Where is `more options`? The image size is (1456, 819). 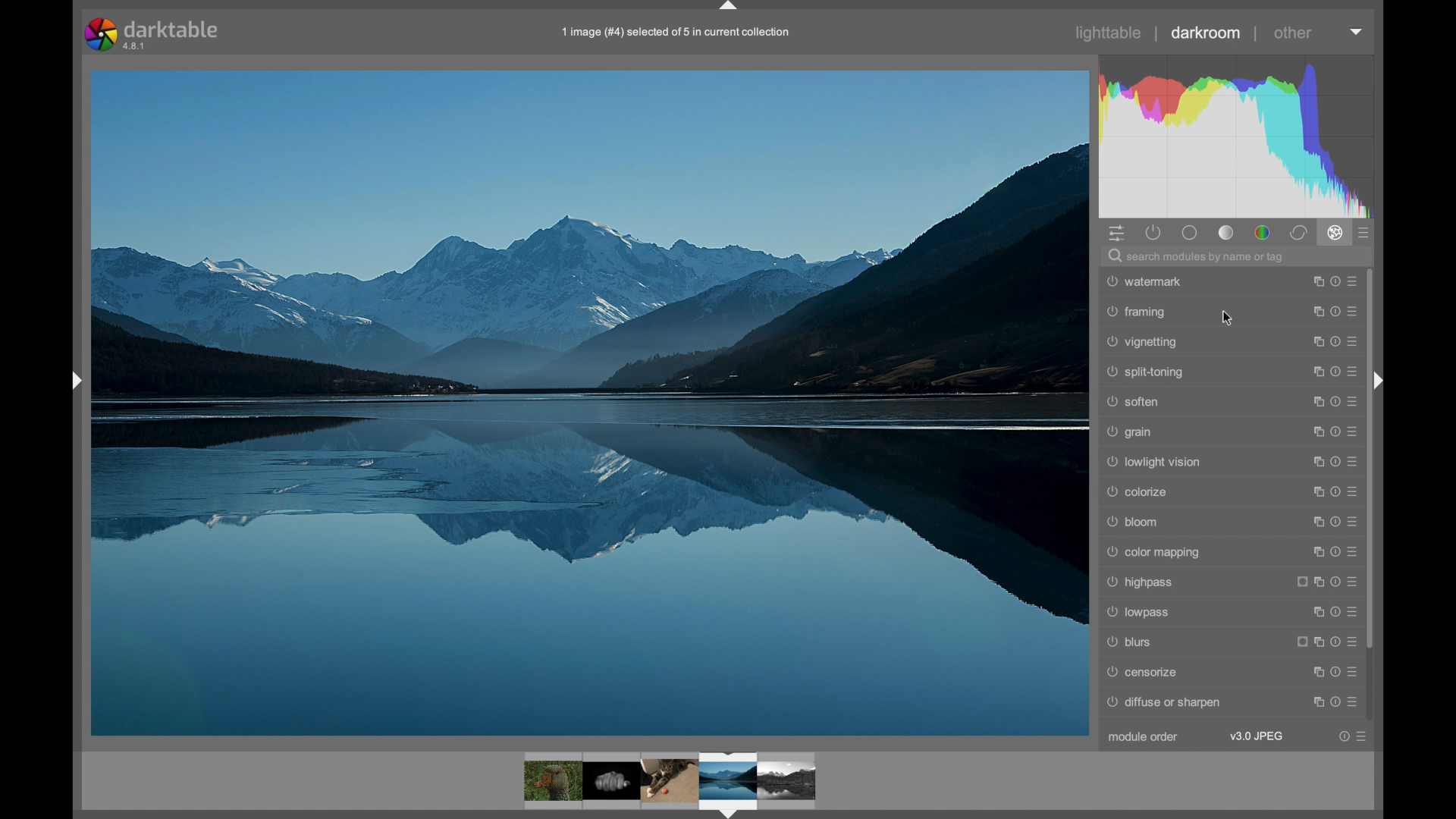 more options is located at coordinates (1336, 372).